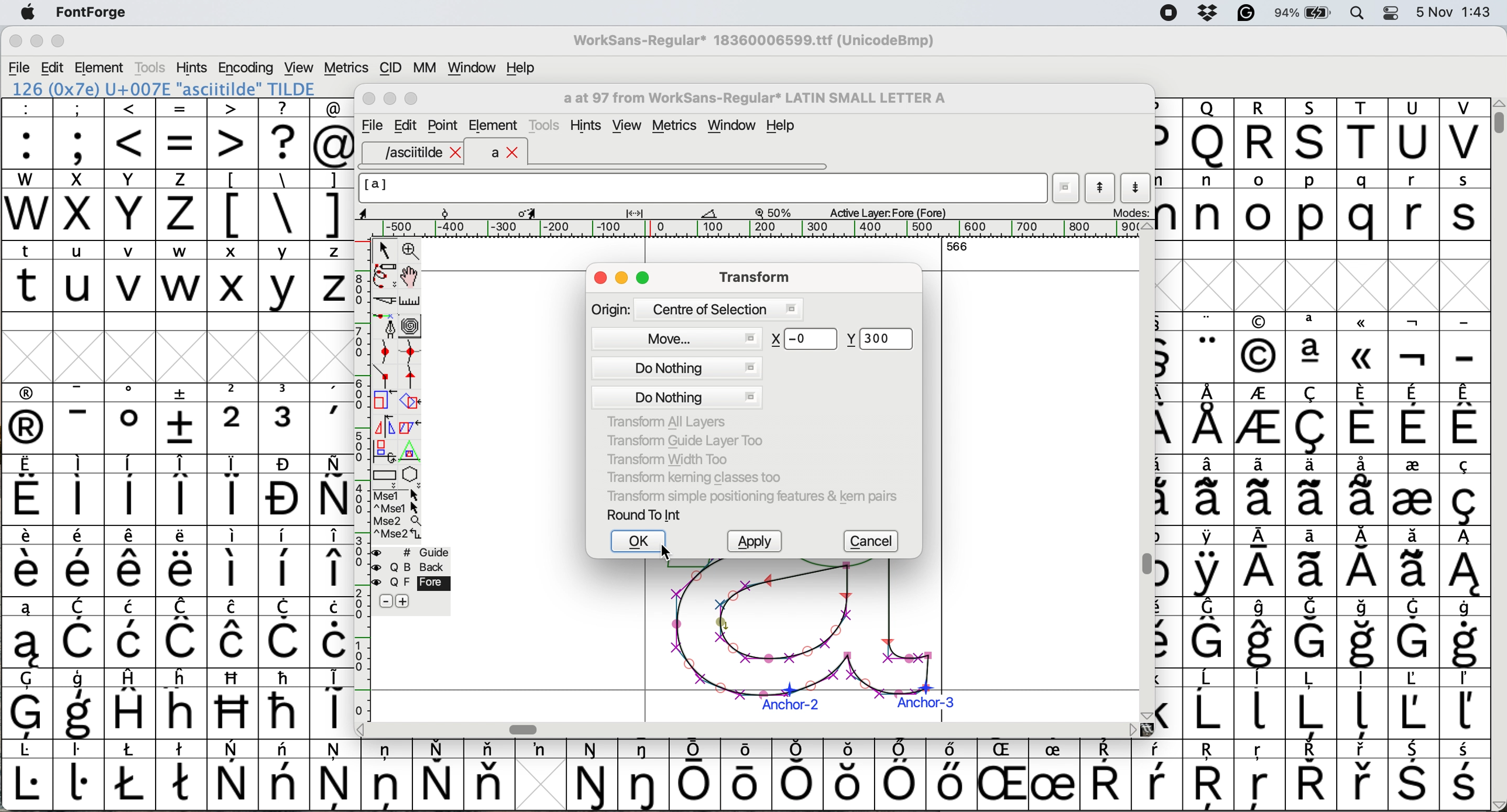  I want to click on symbol, so click(232, 632).